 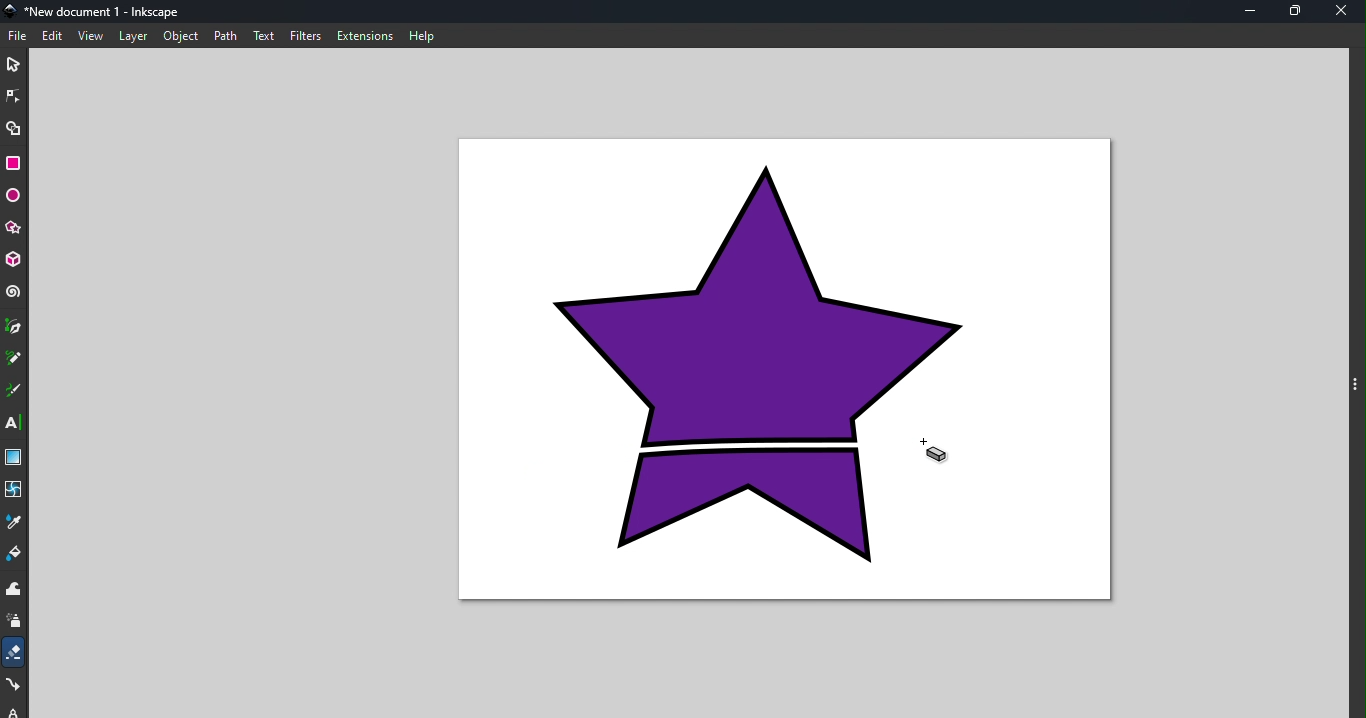 I want to click on extensions, so click(x=366, y=36).